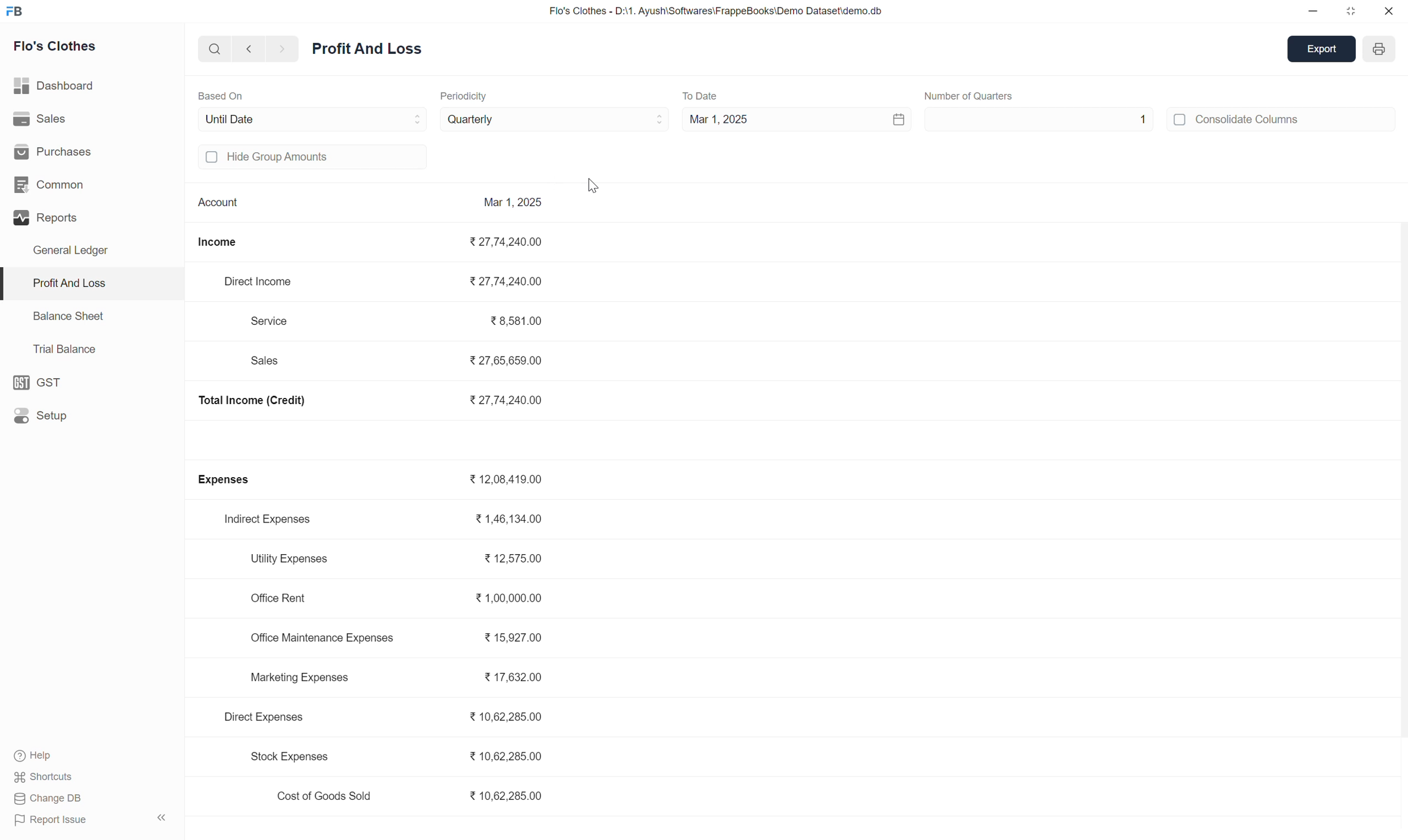 The width and height of the screenshot is (1408, 840). I want to click on change DB, so click(61, 799).